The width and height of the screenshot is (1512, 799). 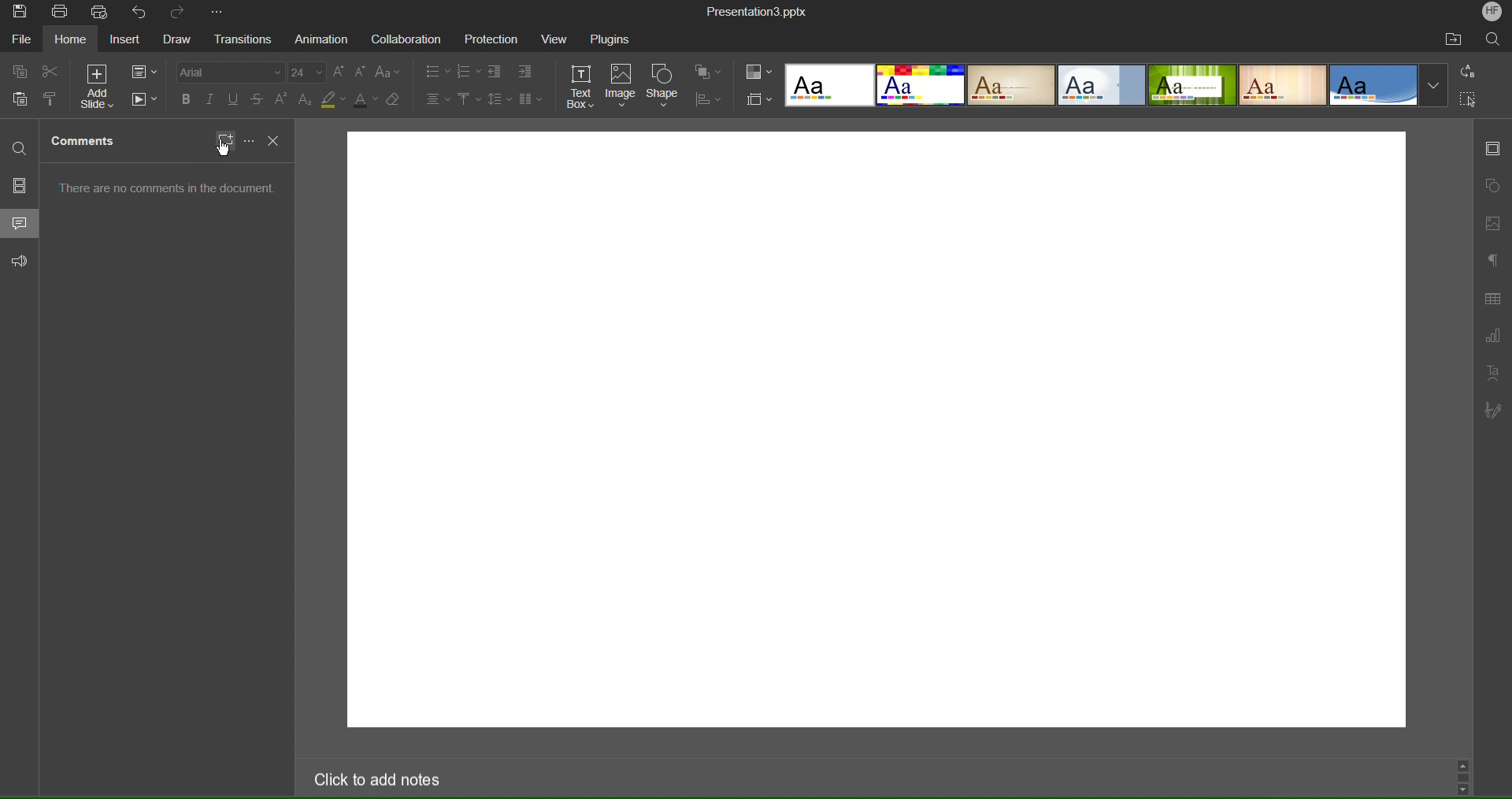 What do you see at coordinates (468, 101) in the screenshot?
I see `Vertical Alignment` at bounding box center [468, 101].